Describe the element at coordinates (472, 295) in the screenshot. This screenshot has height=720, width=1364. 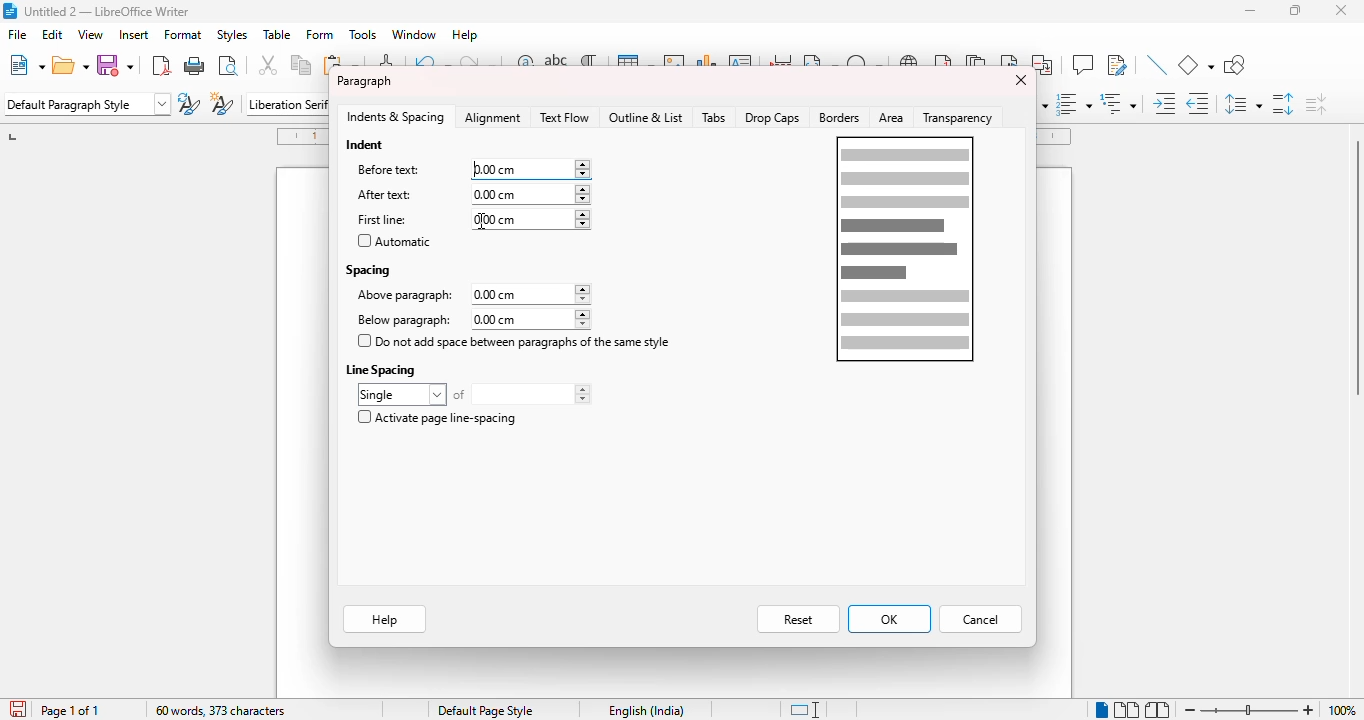
I see `above paragraph: 0.00 cm` at that location.